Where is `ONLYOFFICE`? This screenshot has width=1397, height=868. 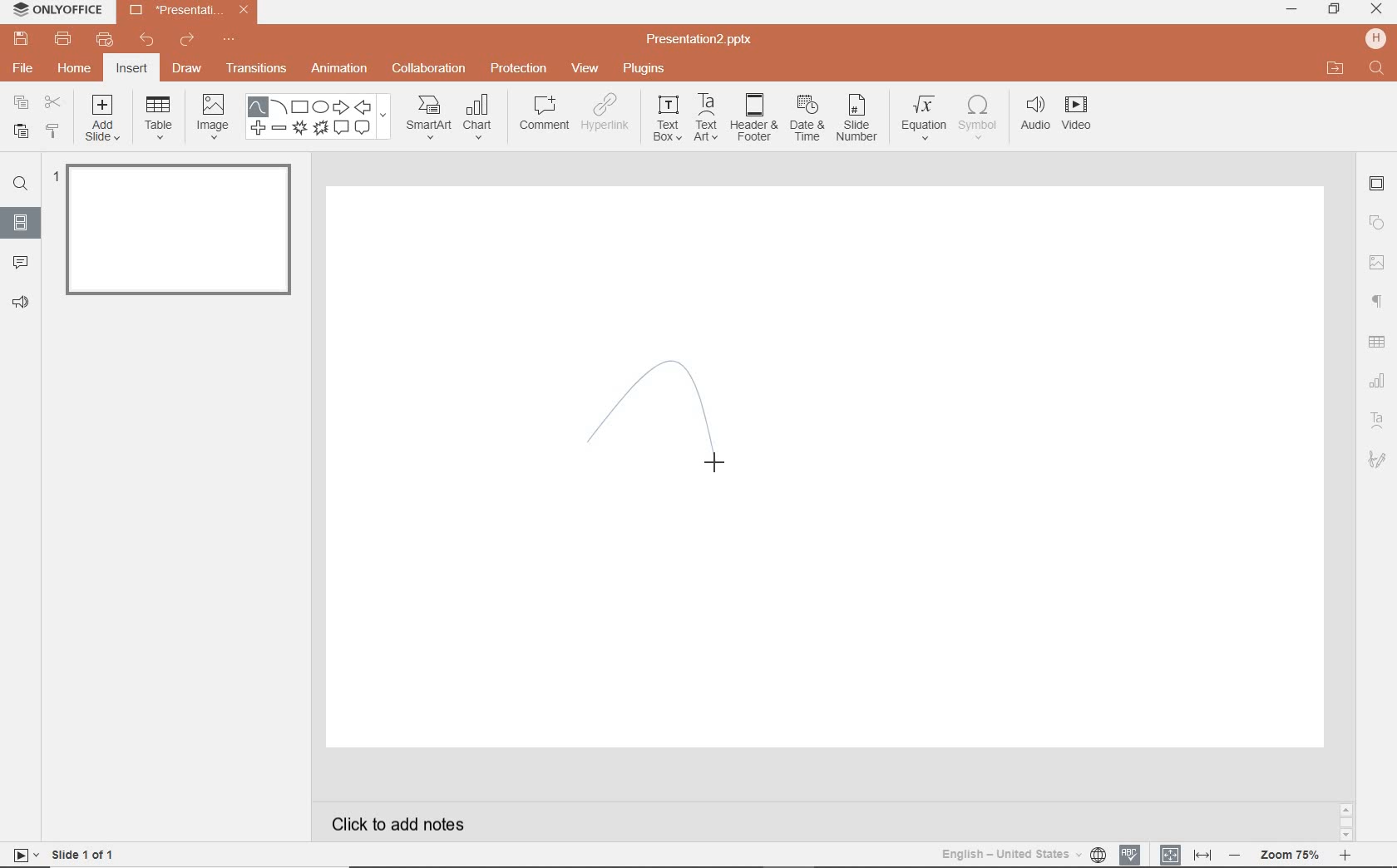
ONLYOFFICE is located at coordinates (58, 11).